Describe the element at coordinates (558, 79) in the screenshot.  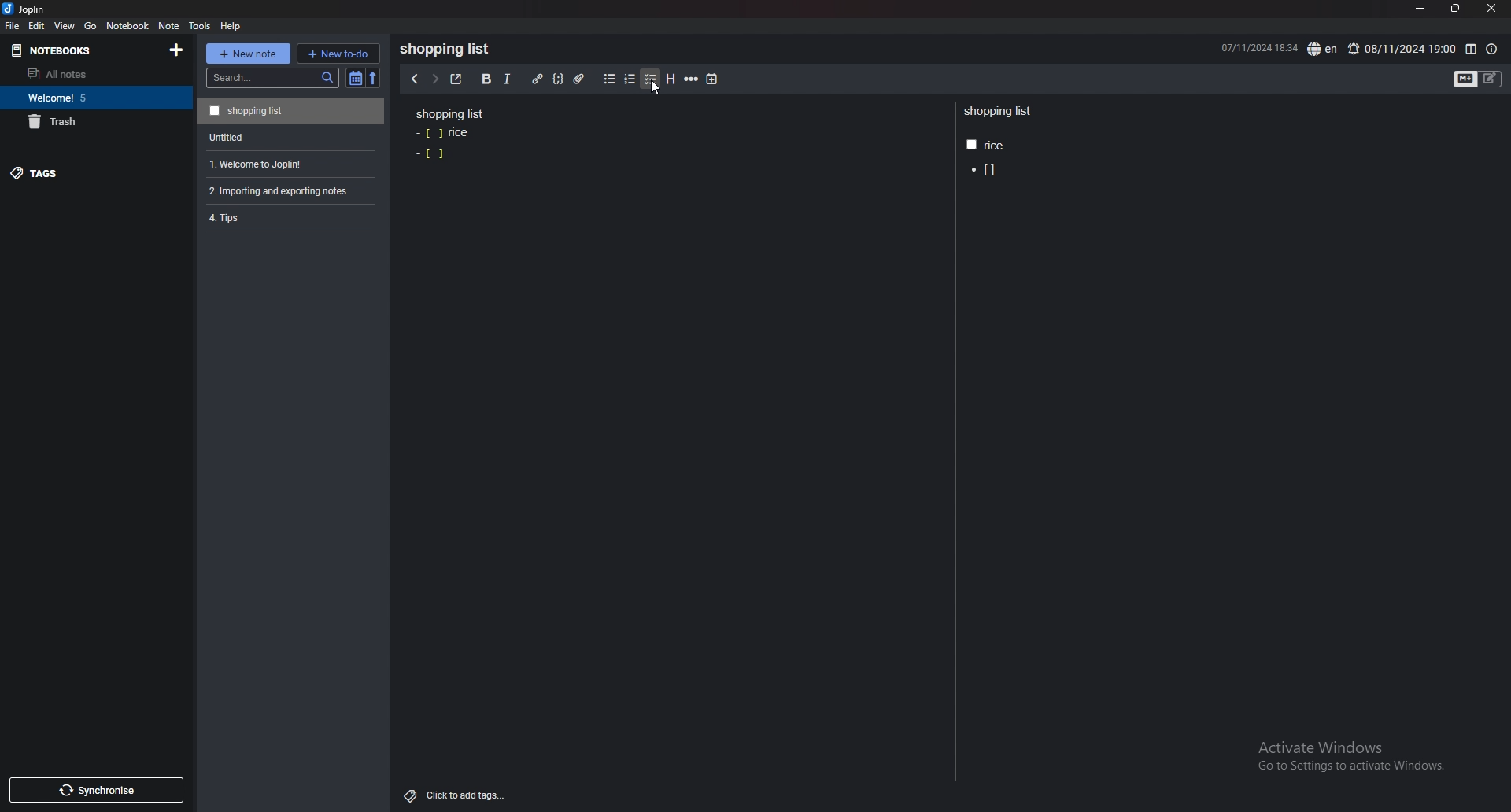
I see `code` at that location.